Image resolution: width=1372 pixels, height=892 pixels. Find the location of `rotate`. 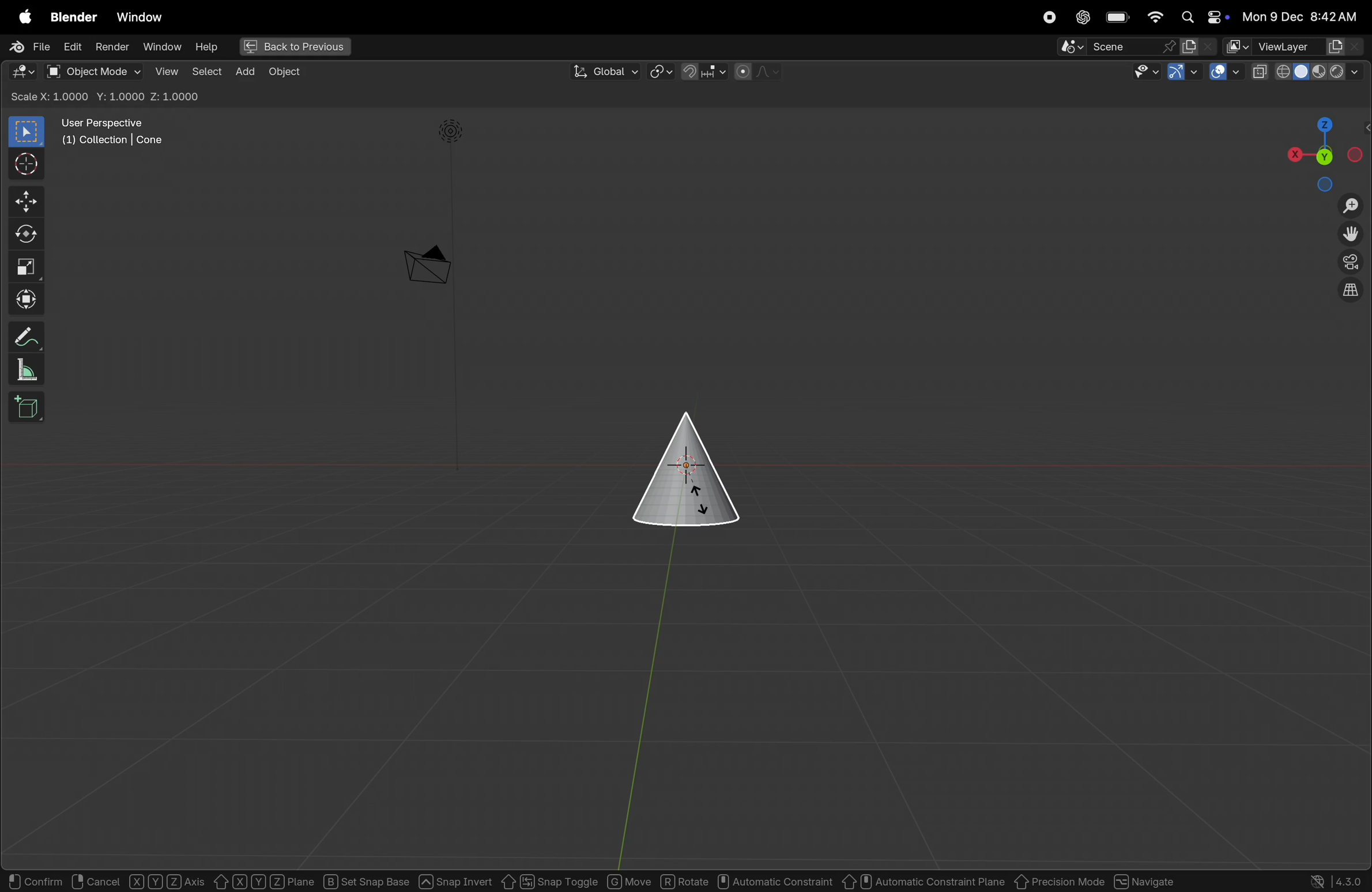

rotate is located at coordinates (24, 235).